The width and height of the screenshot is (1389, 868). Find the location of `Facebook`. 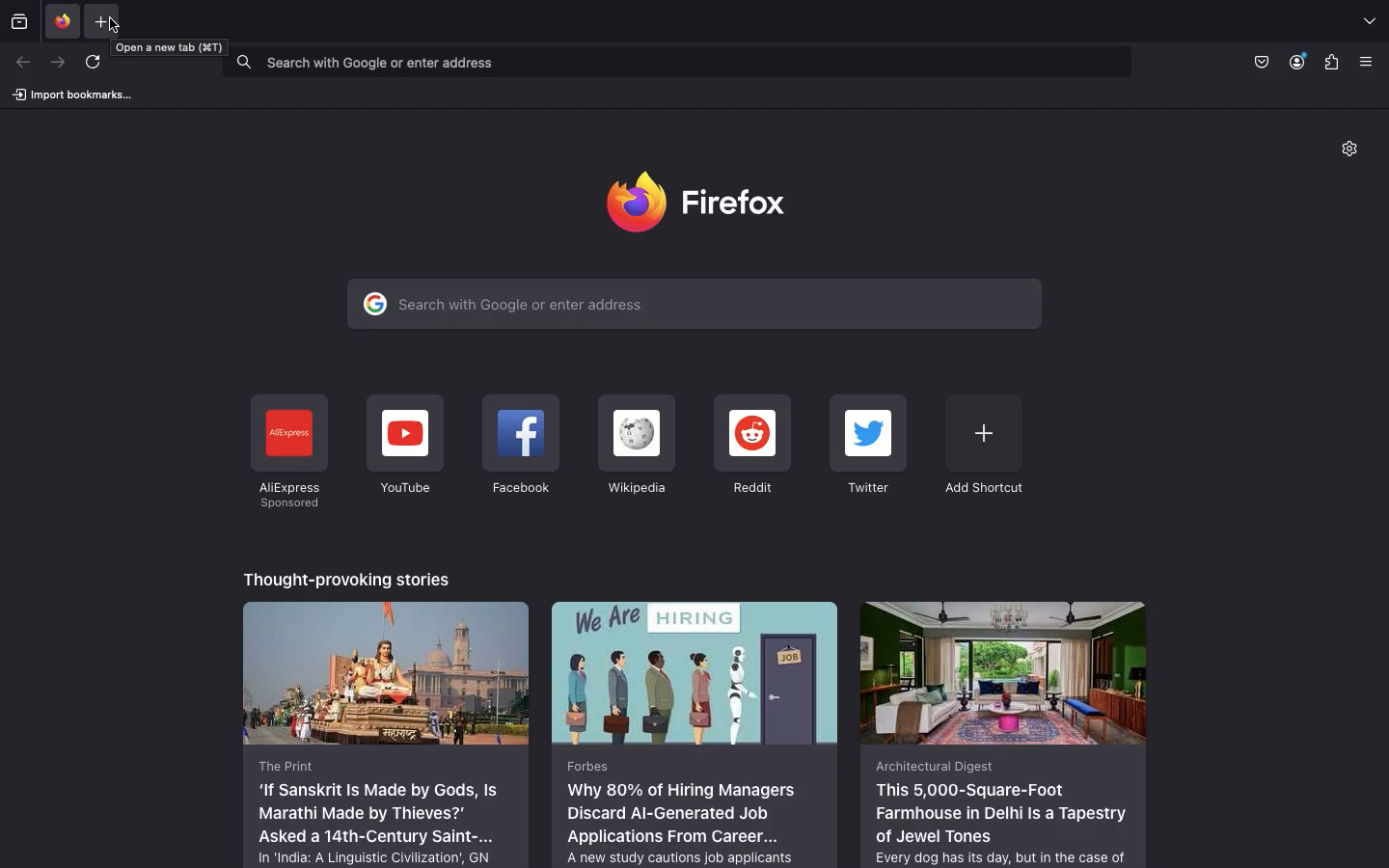

Facebook is located at coordinates (520, 448).